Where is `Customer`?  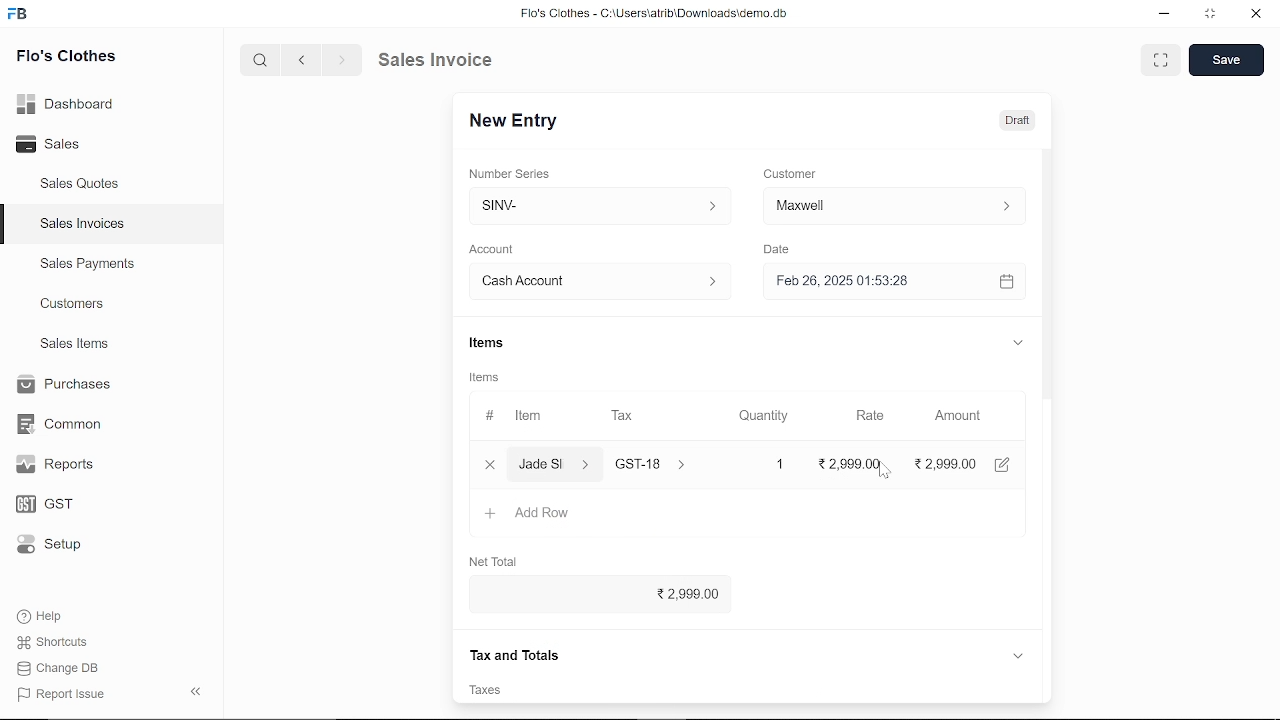
Customer is located at coordinates (792, 173).